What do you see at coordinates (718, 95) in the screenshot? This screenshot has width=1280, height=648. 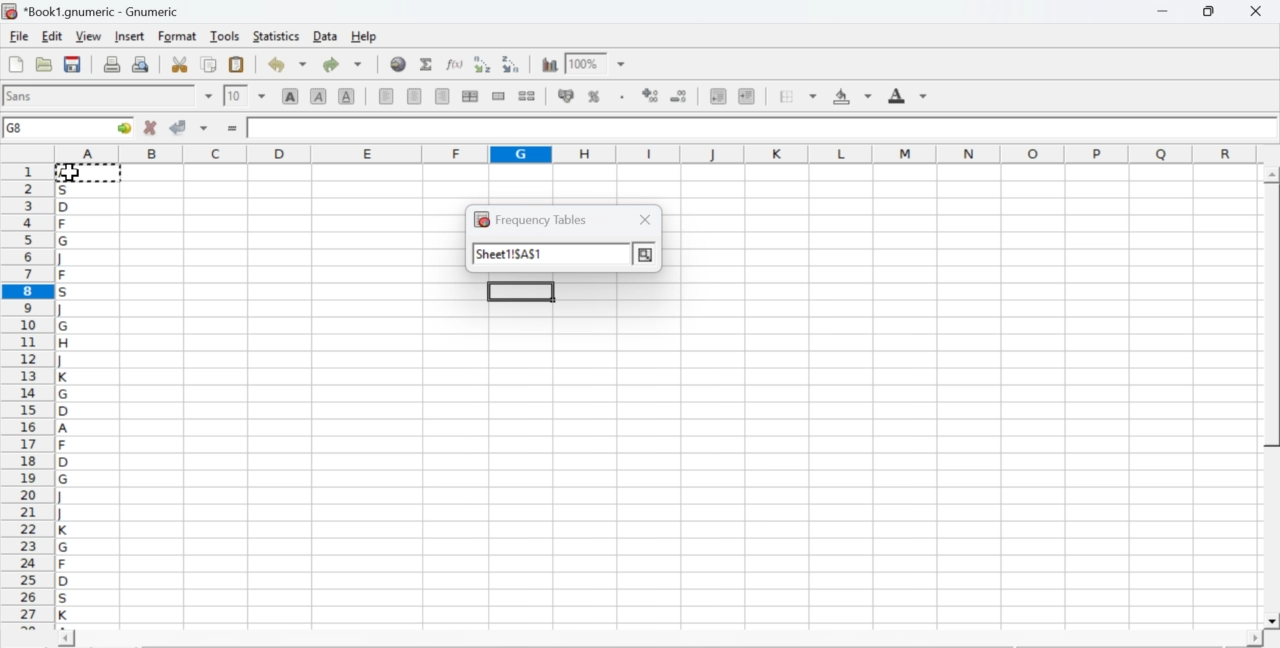 I see `decrease indent` at bounding box center [718, 95].